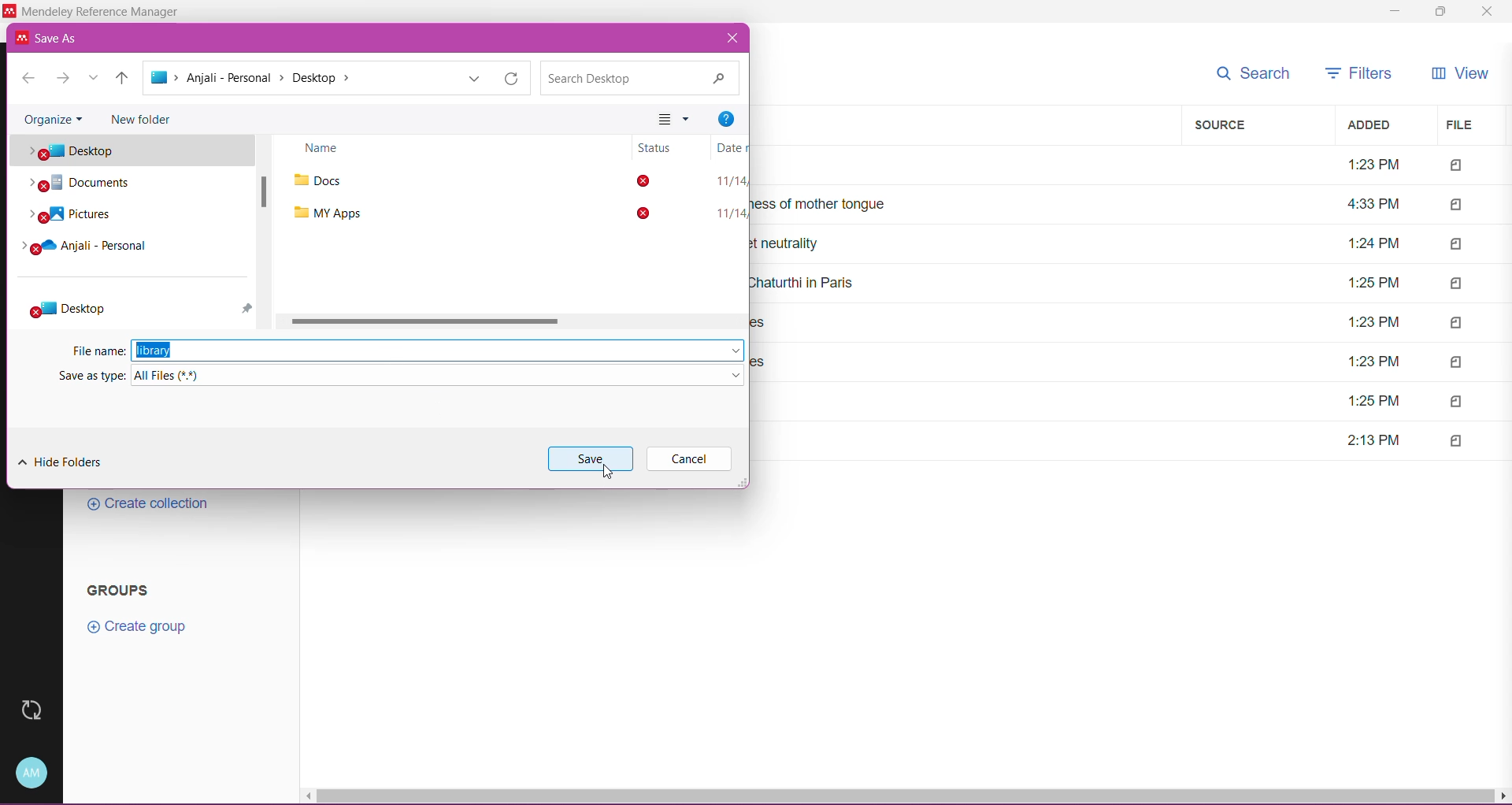  I want to click on Click to Create group, so click(135, 629).